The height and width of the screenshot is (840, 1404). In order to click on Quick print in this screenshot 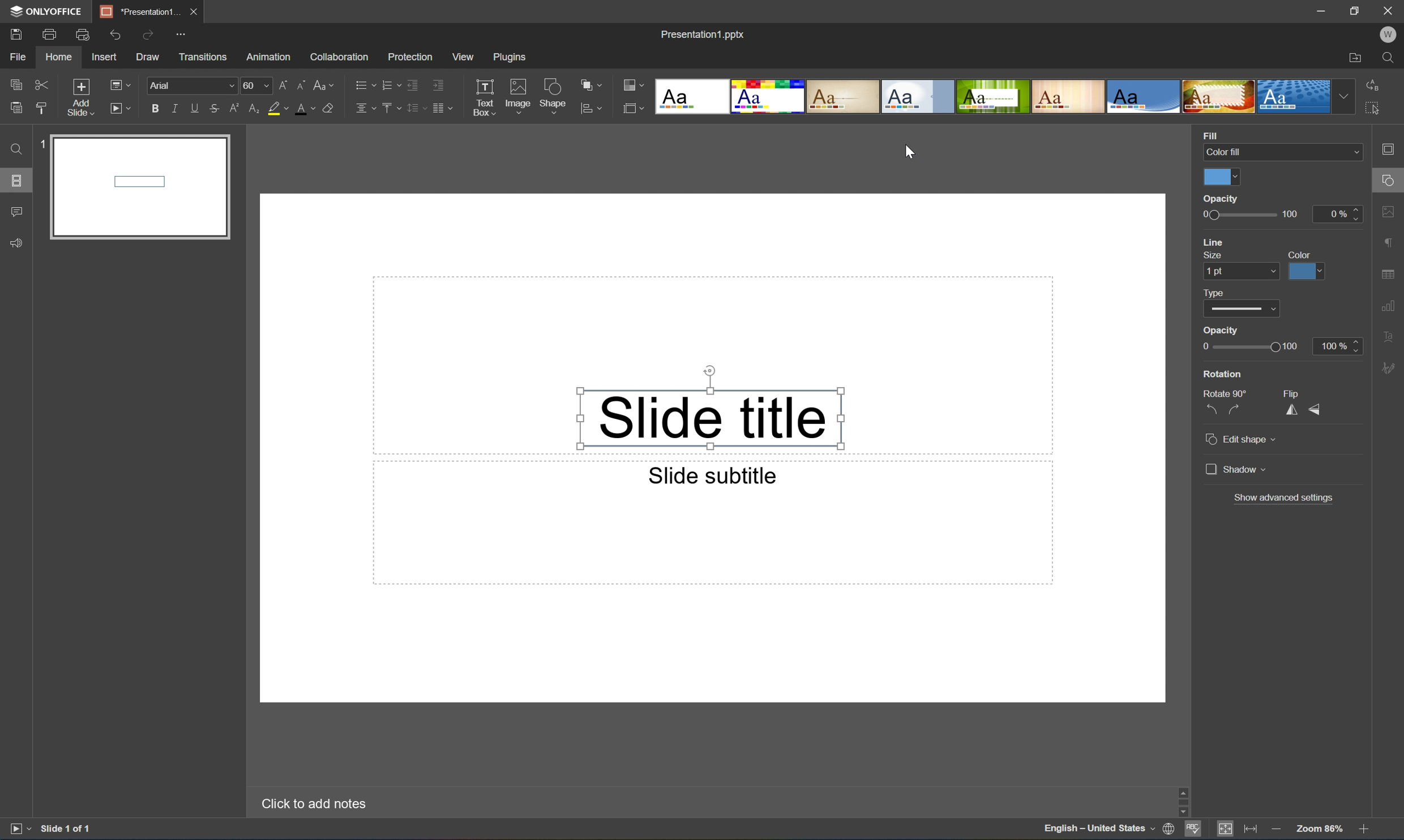, I will do `click(83, 34)`.